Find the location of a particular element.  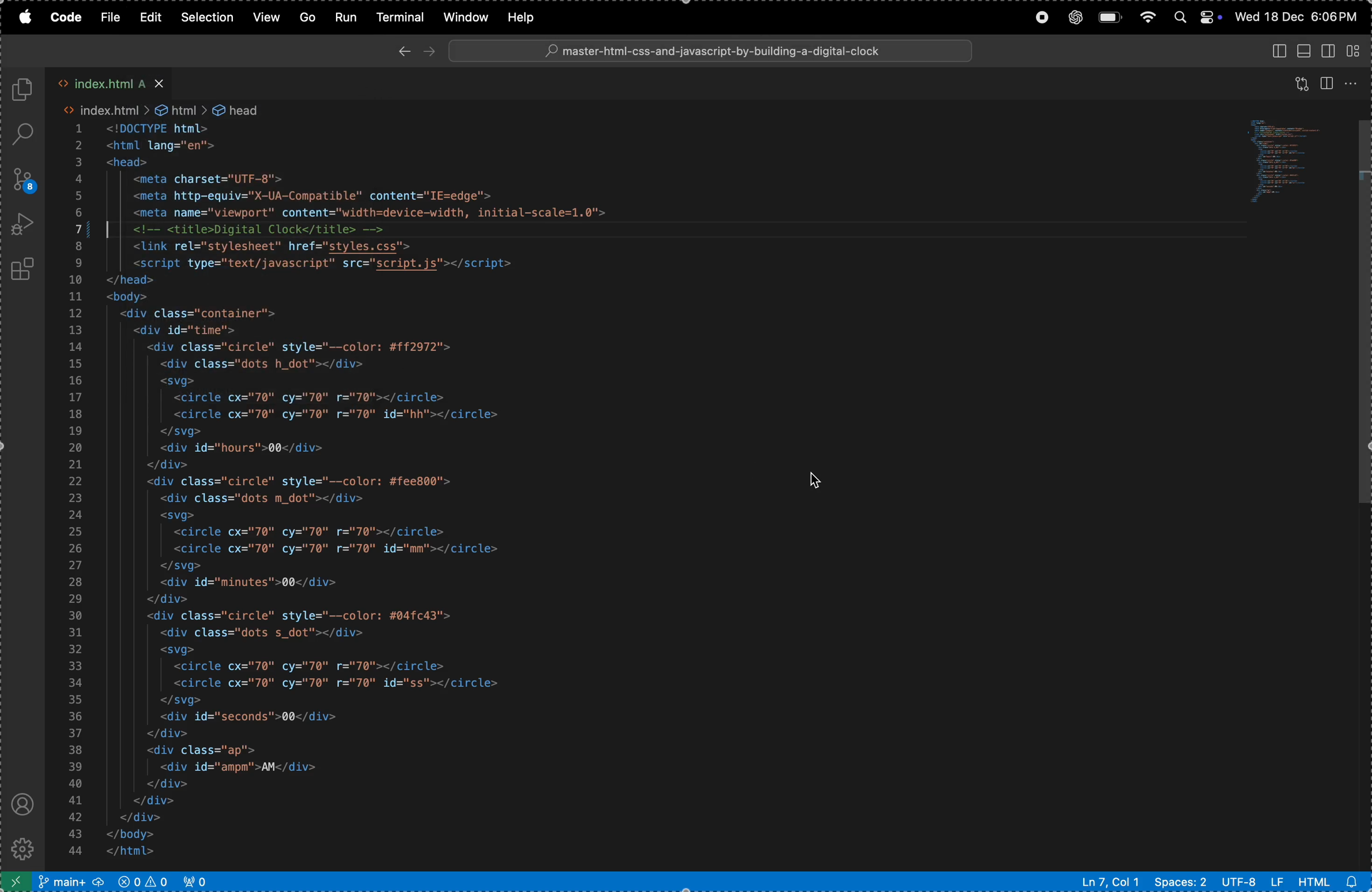

source control is located at coordinates (22, 179).